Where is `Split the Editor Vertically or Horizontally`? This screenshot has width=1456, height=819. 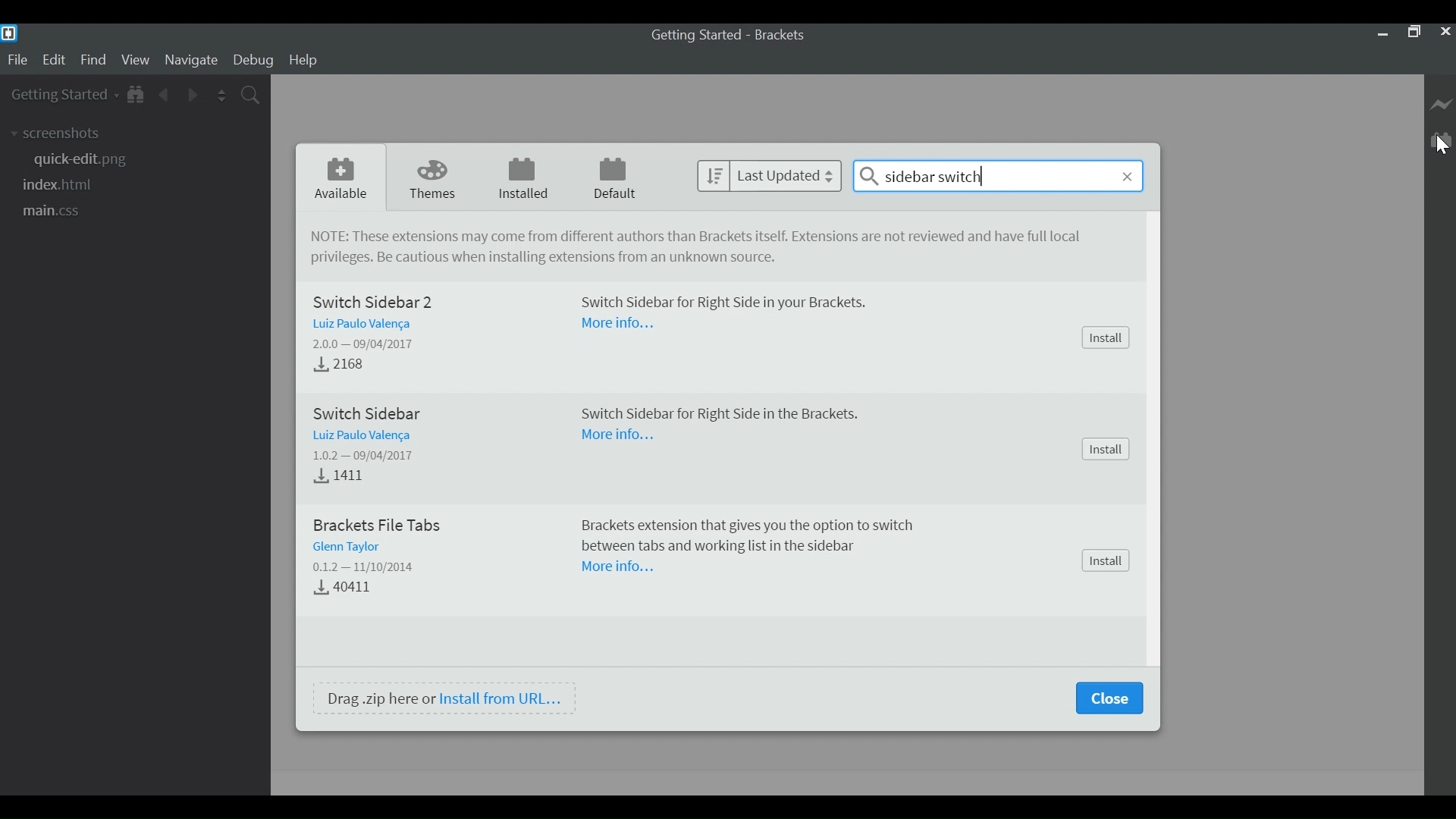
Split the Editor Vertically or Horizontally is located at coordinates (222, 94).